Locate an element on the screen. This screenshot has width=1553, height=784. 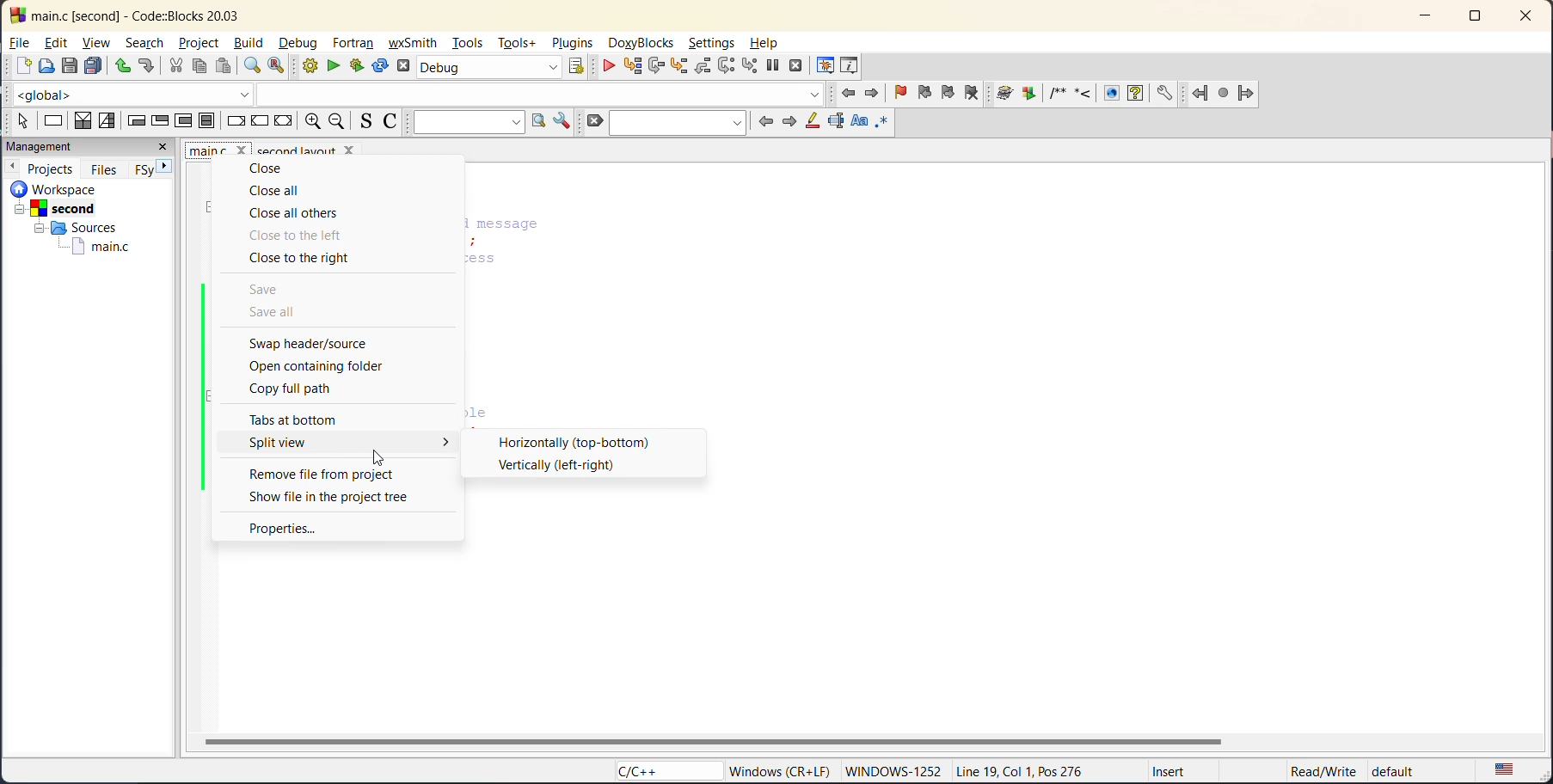
last jump is located at coordinates (1225, 89).